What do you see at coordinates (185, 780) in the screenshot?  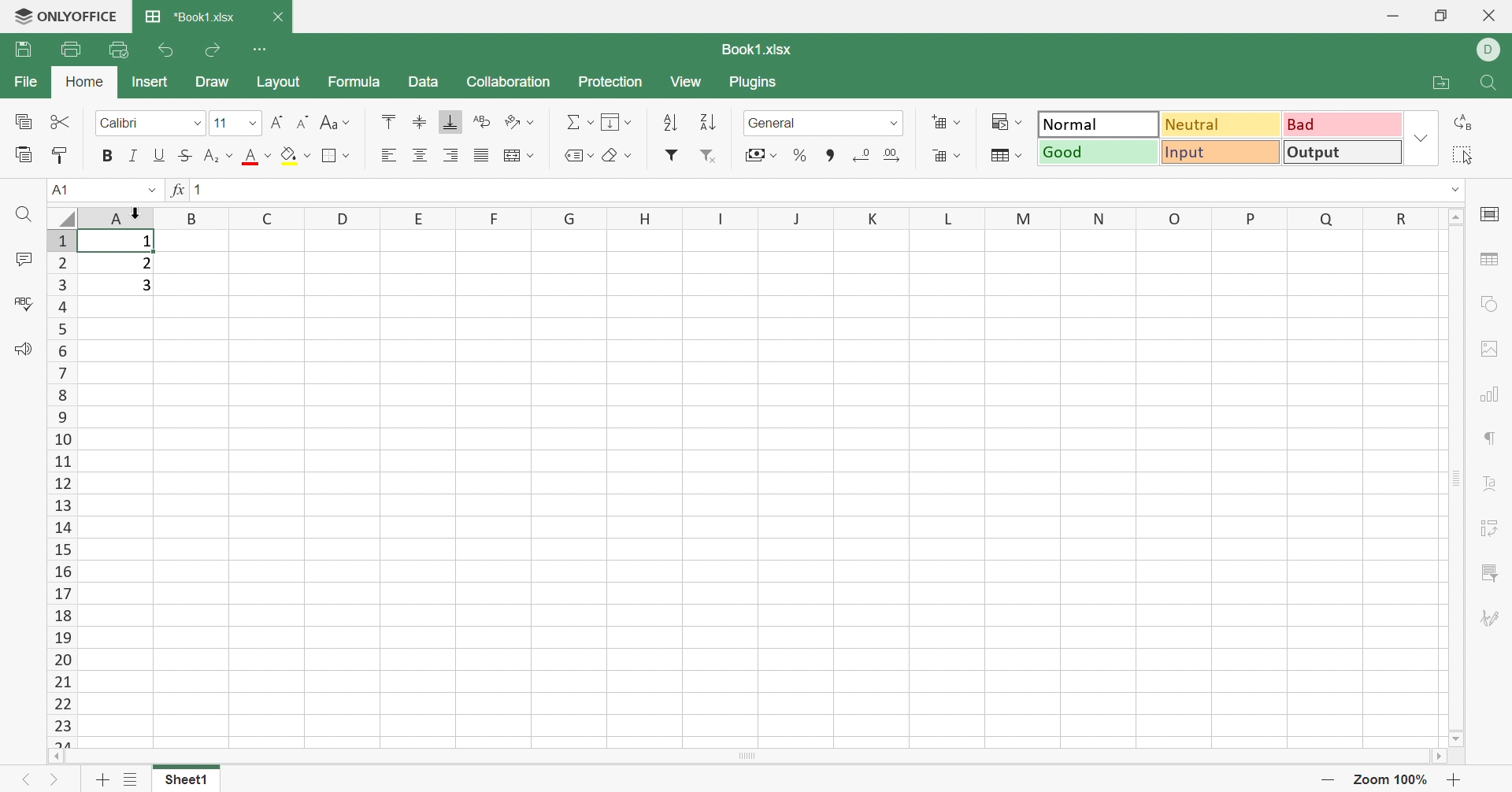 I see `Sheet1` at bounding box center [185, 780].